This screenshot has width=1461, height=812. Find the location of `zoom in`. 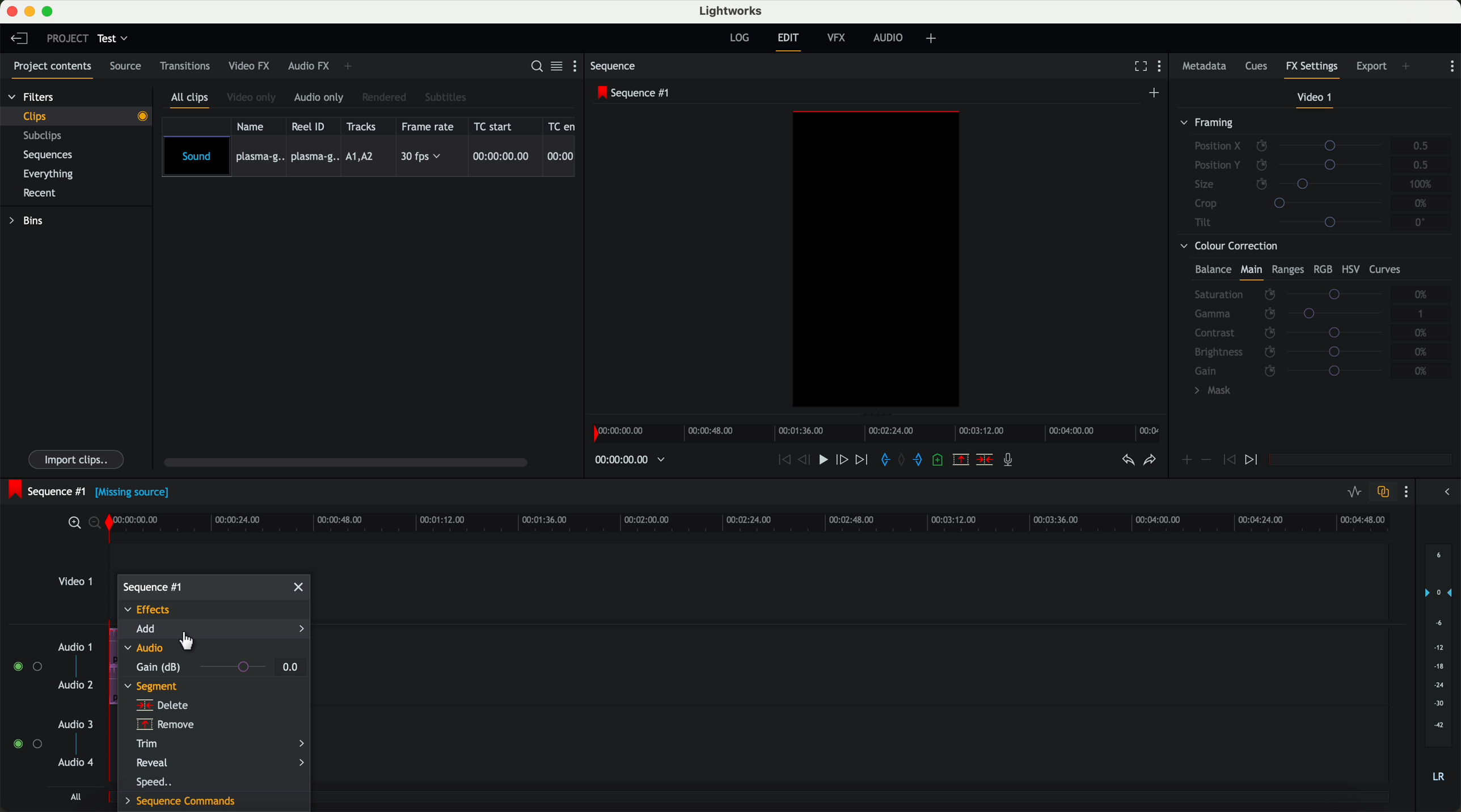

zoom in is located at coordinates (74, 523).